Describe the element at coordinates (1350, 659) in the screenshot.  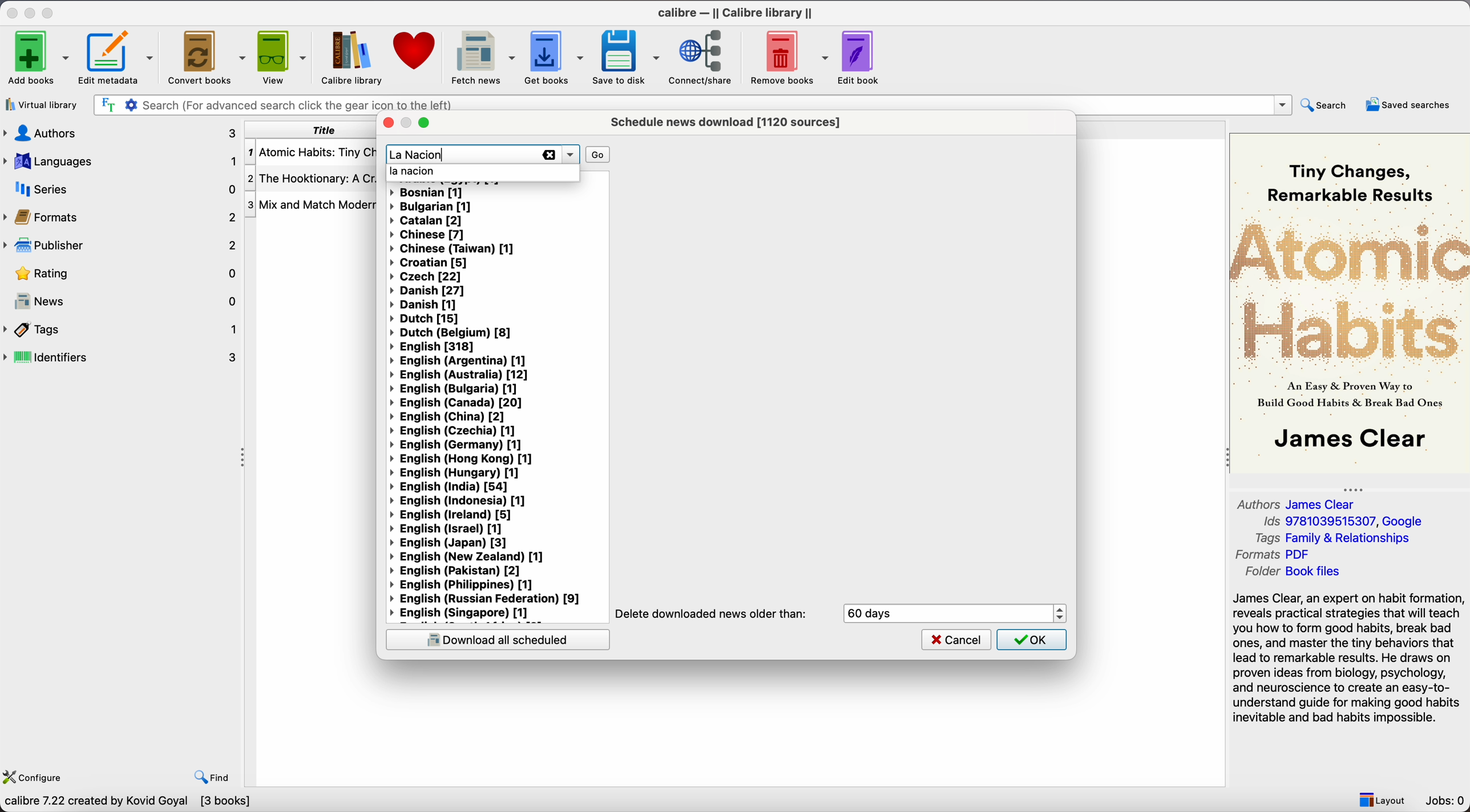
I see `synopsis` at that location.